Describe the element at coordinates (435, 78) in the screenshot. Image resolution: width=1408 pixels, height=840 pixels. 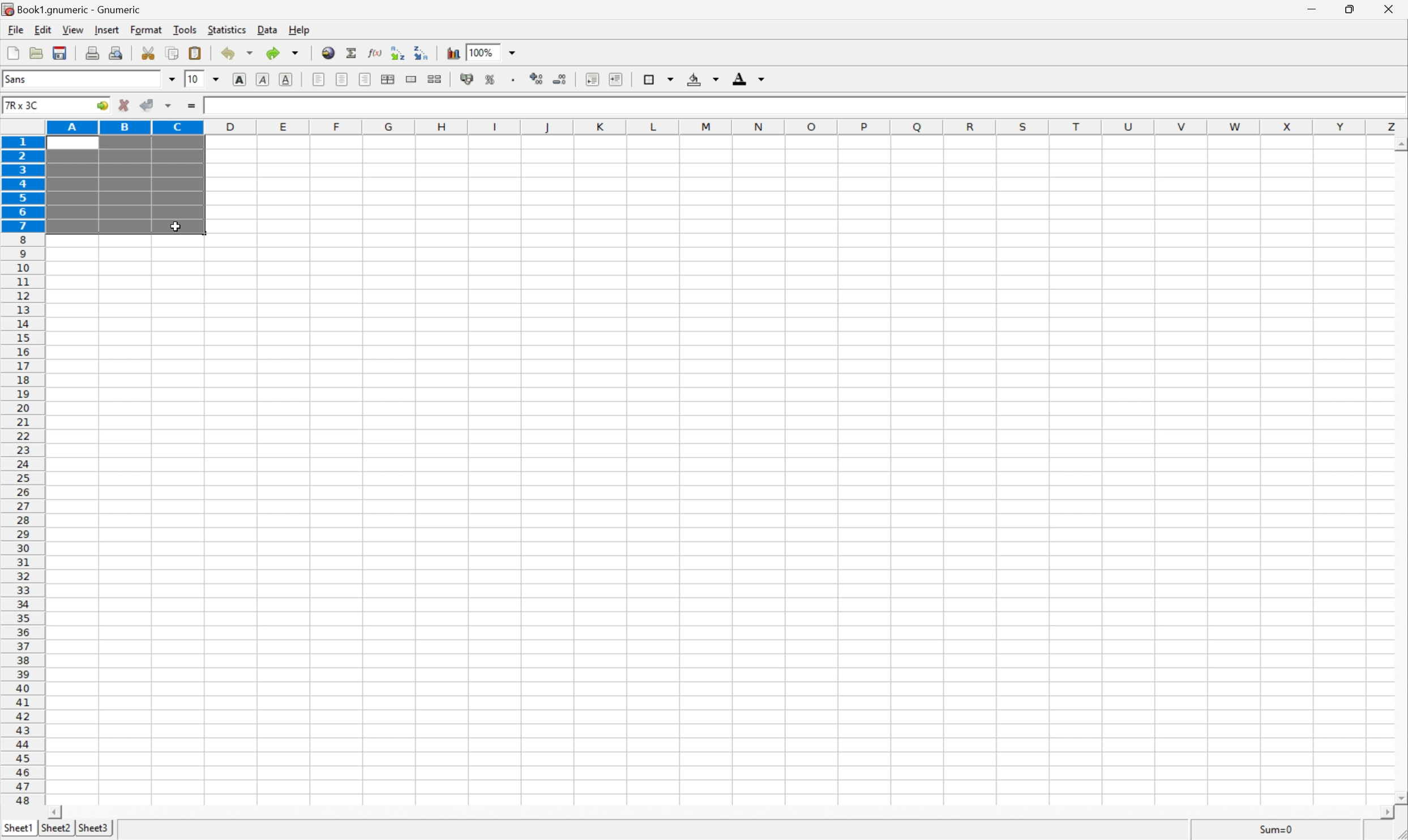
I see `split merged ranges of cells` at that location.